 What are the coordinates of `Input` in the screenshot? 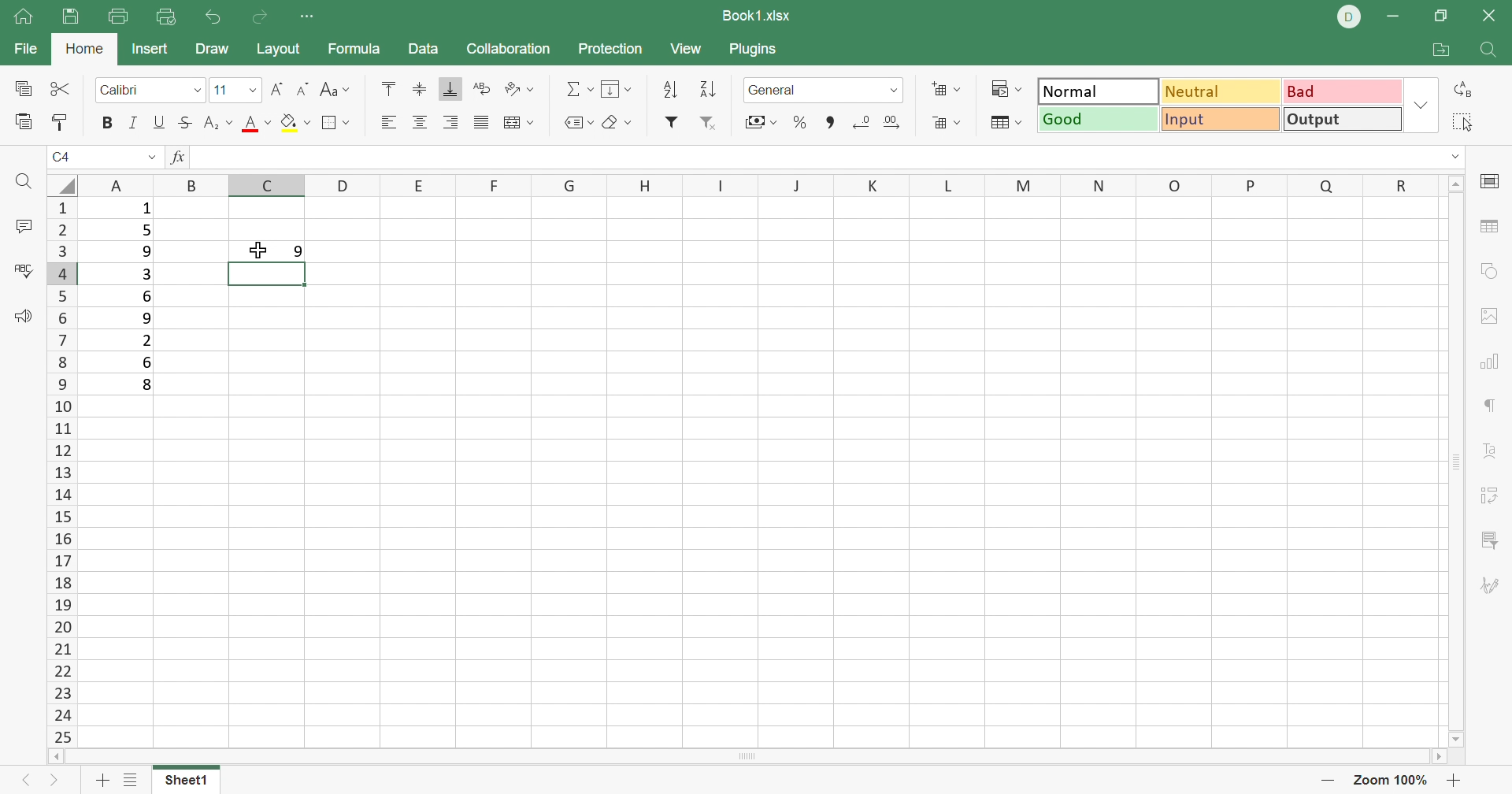 It's located at (1220, 119).